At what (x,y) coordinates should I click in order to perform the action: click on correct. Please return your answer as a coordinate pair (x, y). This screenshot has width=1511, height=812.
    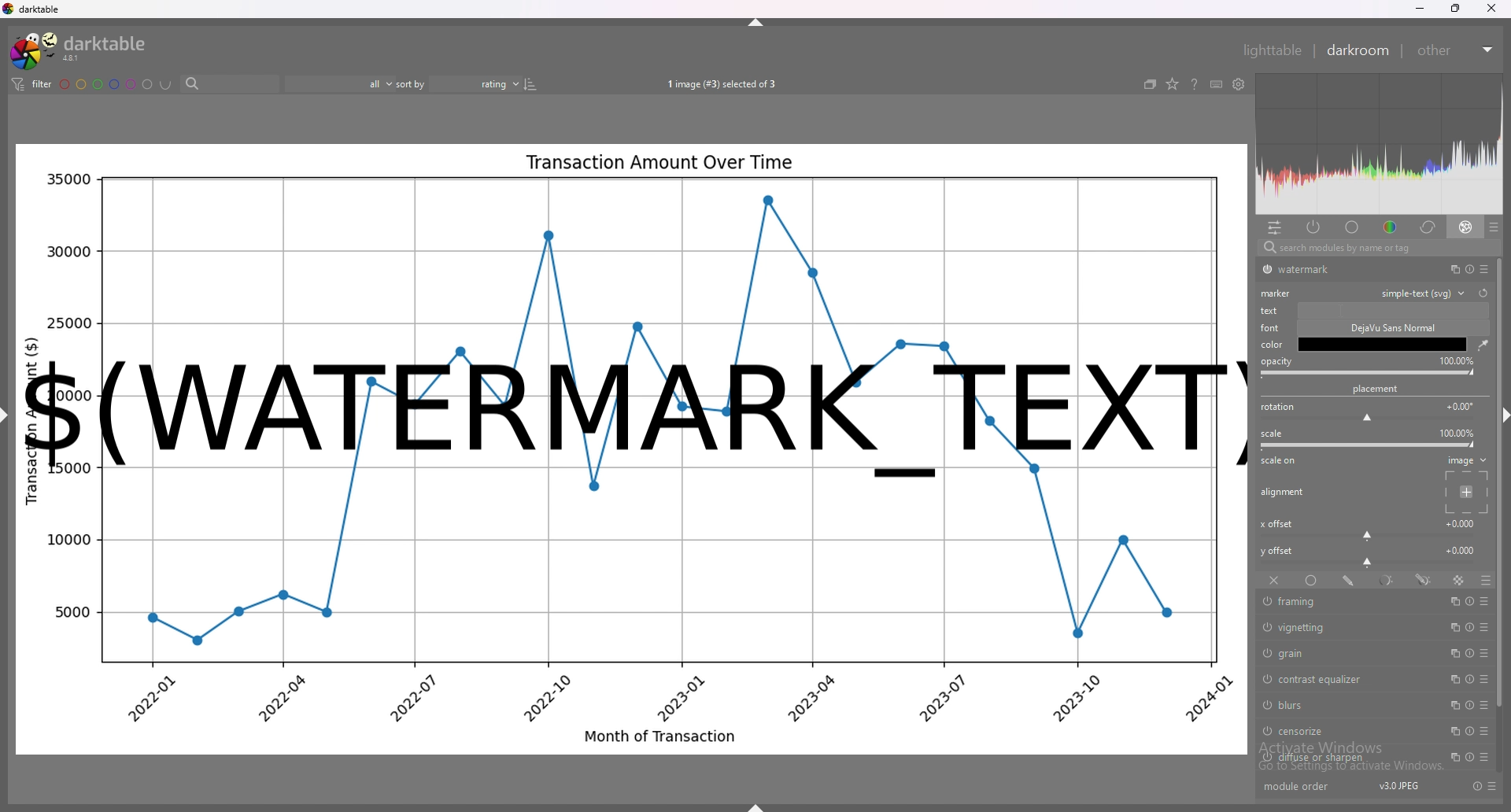
    Looking at the image, I should click on (1426, 227).